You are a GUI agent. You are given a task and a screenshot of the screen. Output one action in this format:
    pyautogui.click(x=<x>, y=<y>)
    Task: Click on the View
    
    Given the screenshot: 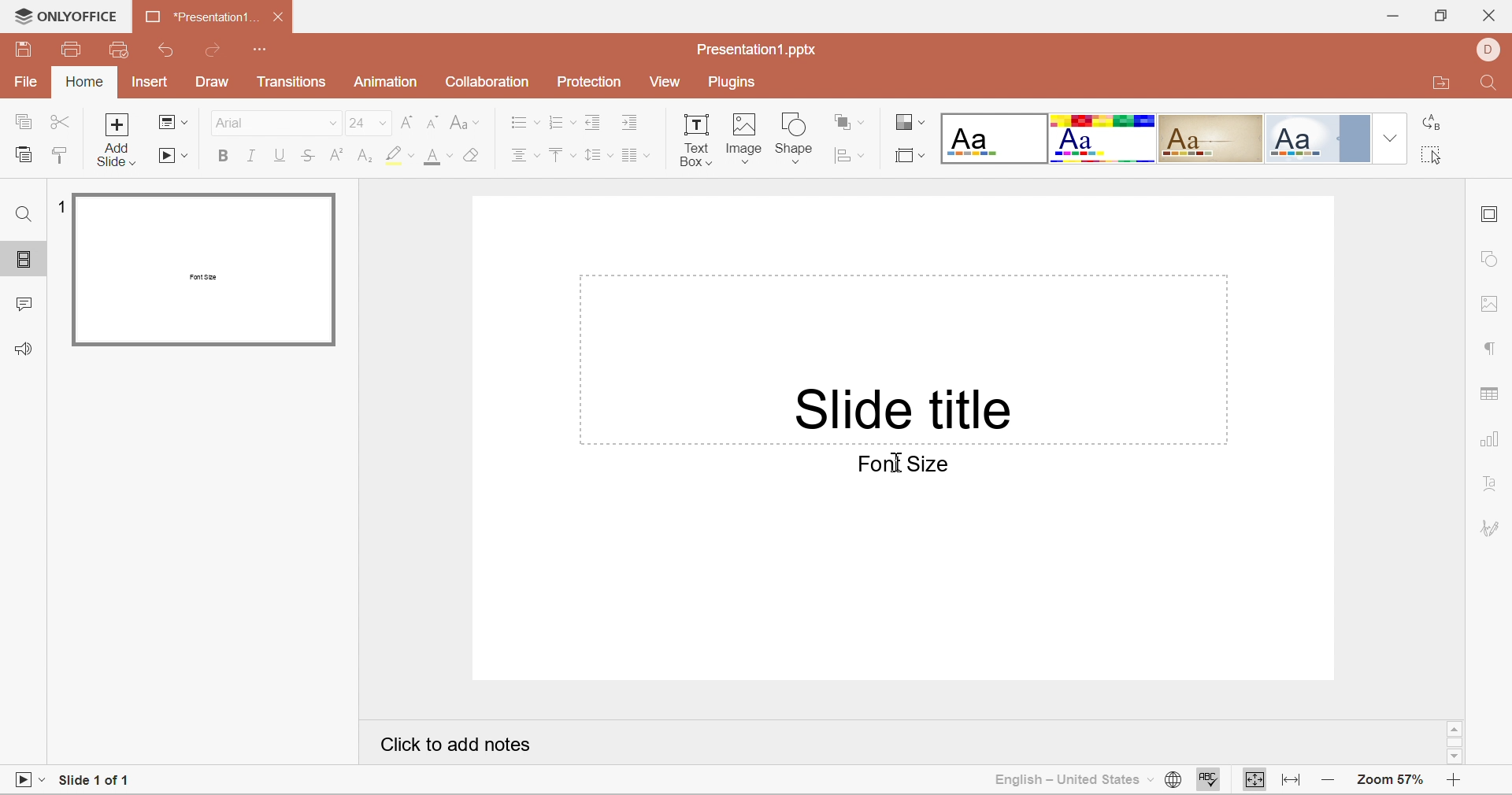 What is the action you would take?
    pyautogui.click(x=668, y=84)
    